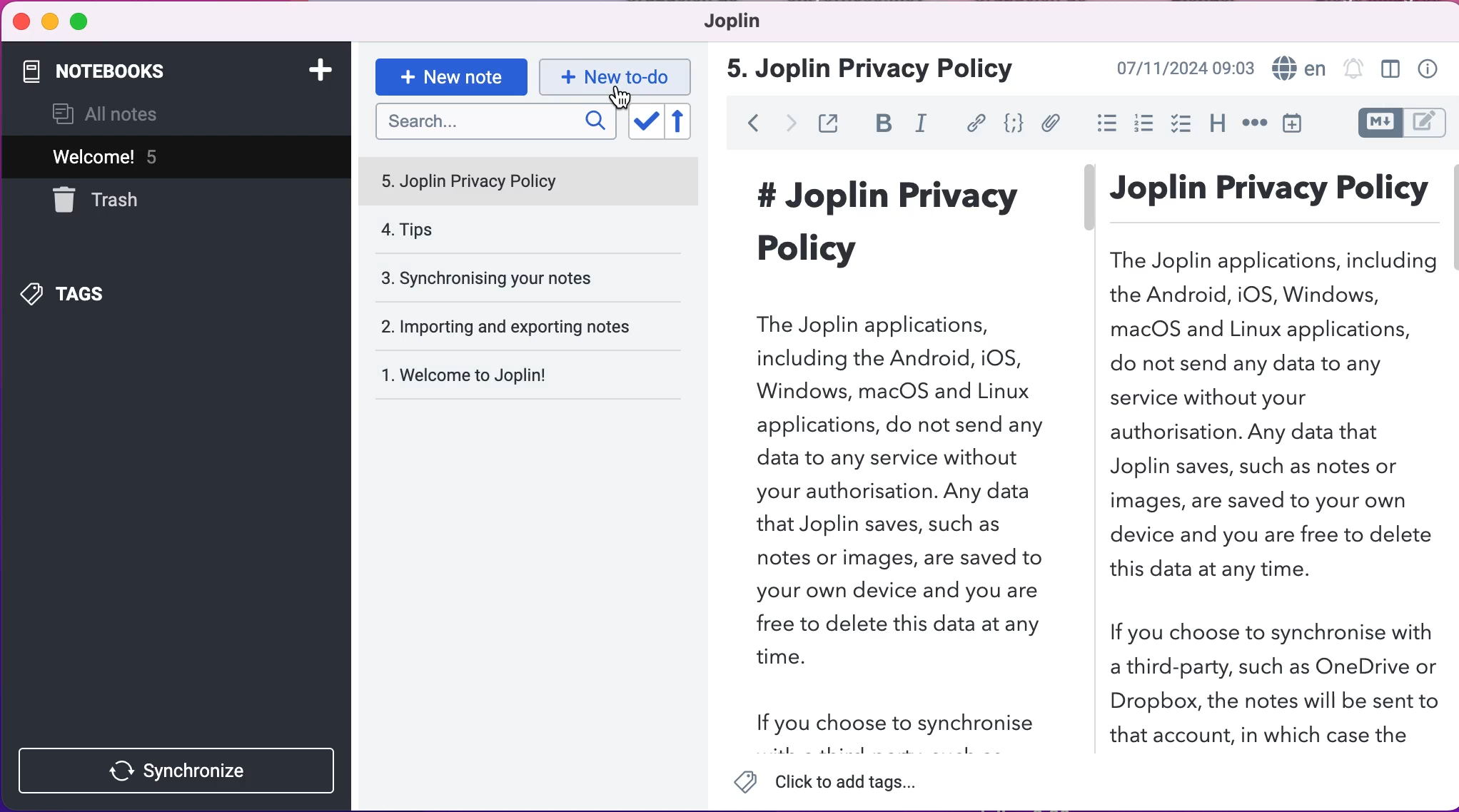 The width and height of the screenshot is (1459, 812). What do you see at coordinates (1275, 462) in the screenshot?
I see `Joplin Privacy Policy
The Joplin applications, including
the Android, iOS, Windows,
macOS and Linux applications,
do not send any data to any
service without your
authorisation. Any data that
Joplin saves, such as notes or
images, are saved to your own
device and you are free to delete
this data at any time.

If you choose to synchronise with
a third-party, such as OneDrive or
Dropbox, the notes will be sent to
that account, in which case the` at bounding box center [1275, 462].